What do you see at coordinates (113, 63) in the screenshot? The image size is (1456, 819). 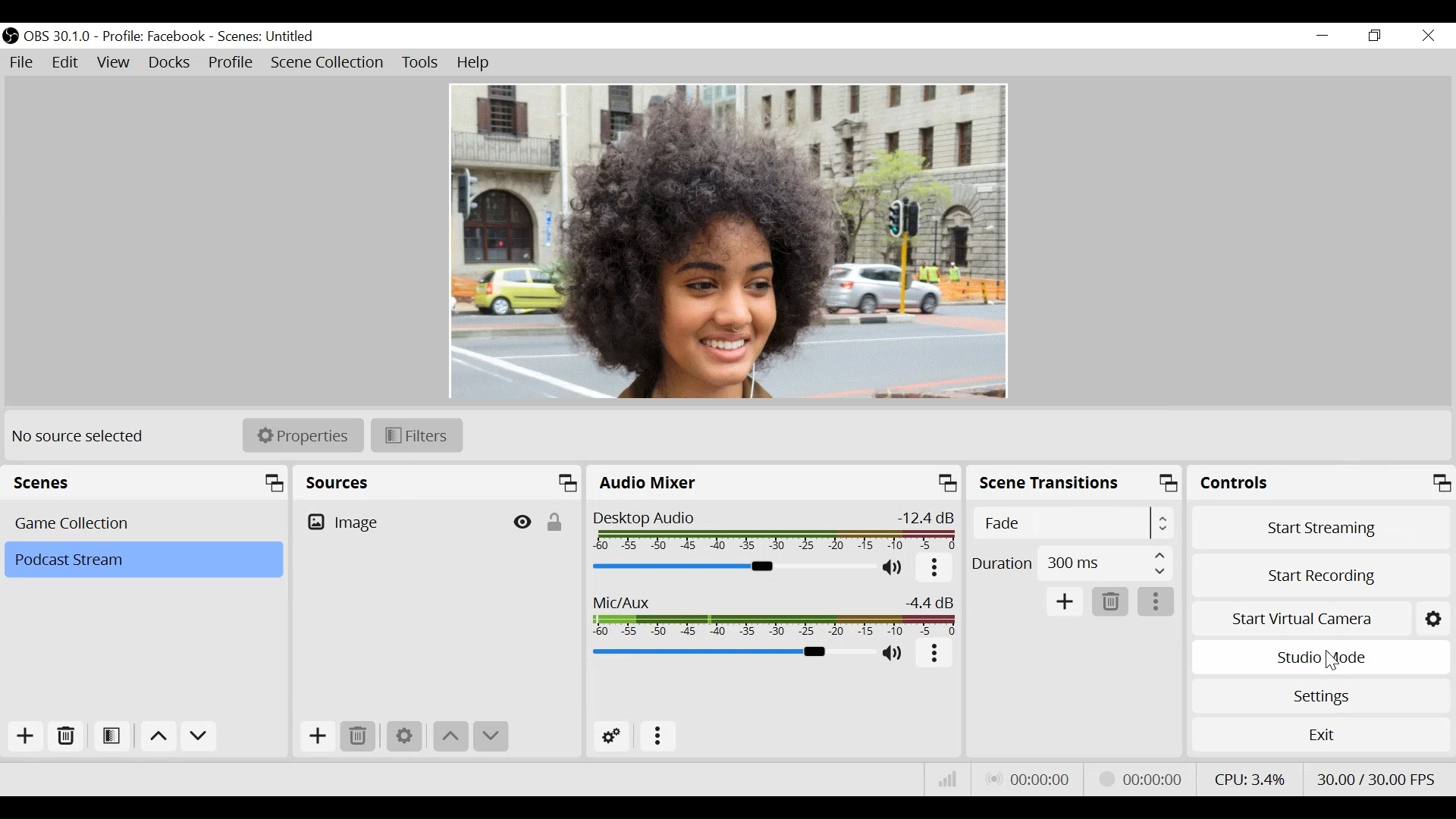 I see `View` at bounding box center [113, 63].